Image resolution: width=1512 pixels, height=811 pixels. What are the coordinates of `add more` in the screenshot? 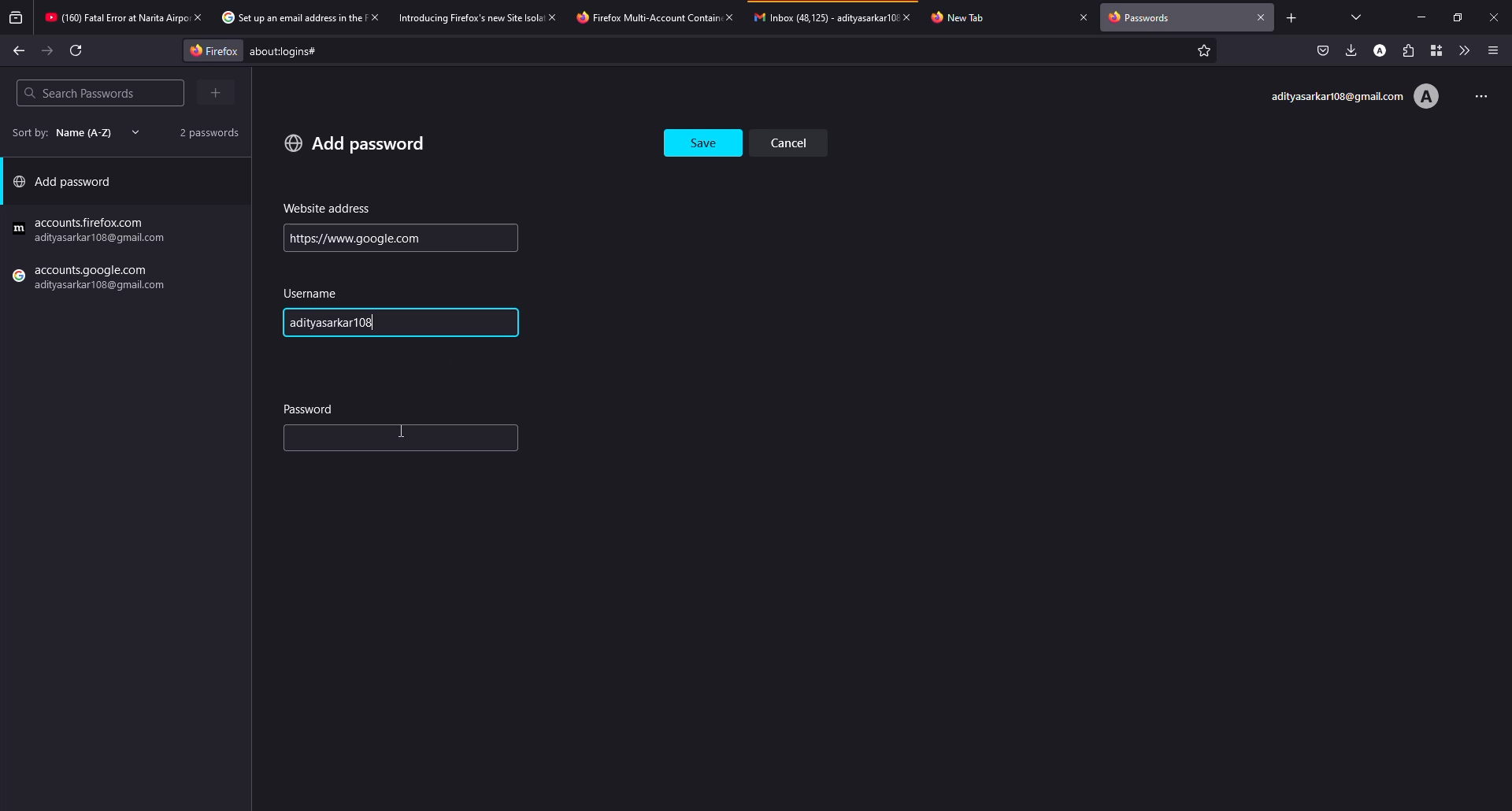 It's located at (218, 92).